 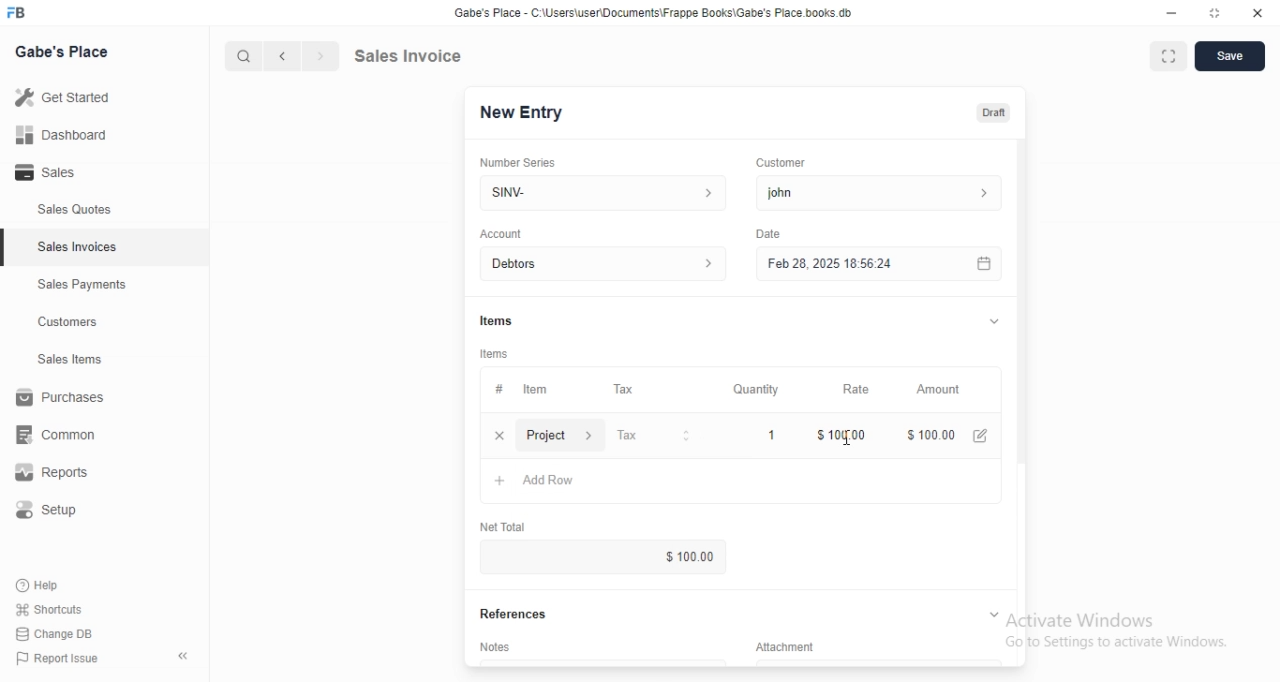 I want to click on close, so click(x=1257, y=14).